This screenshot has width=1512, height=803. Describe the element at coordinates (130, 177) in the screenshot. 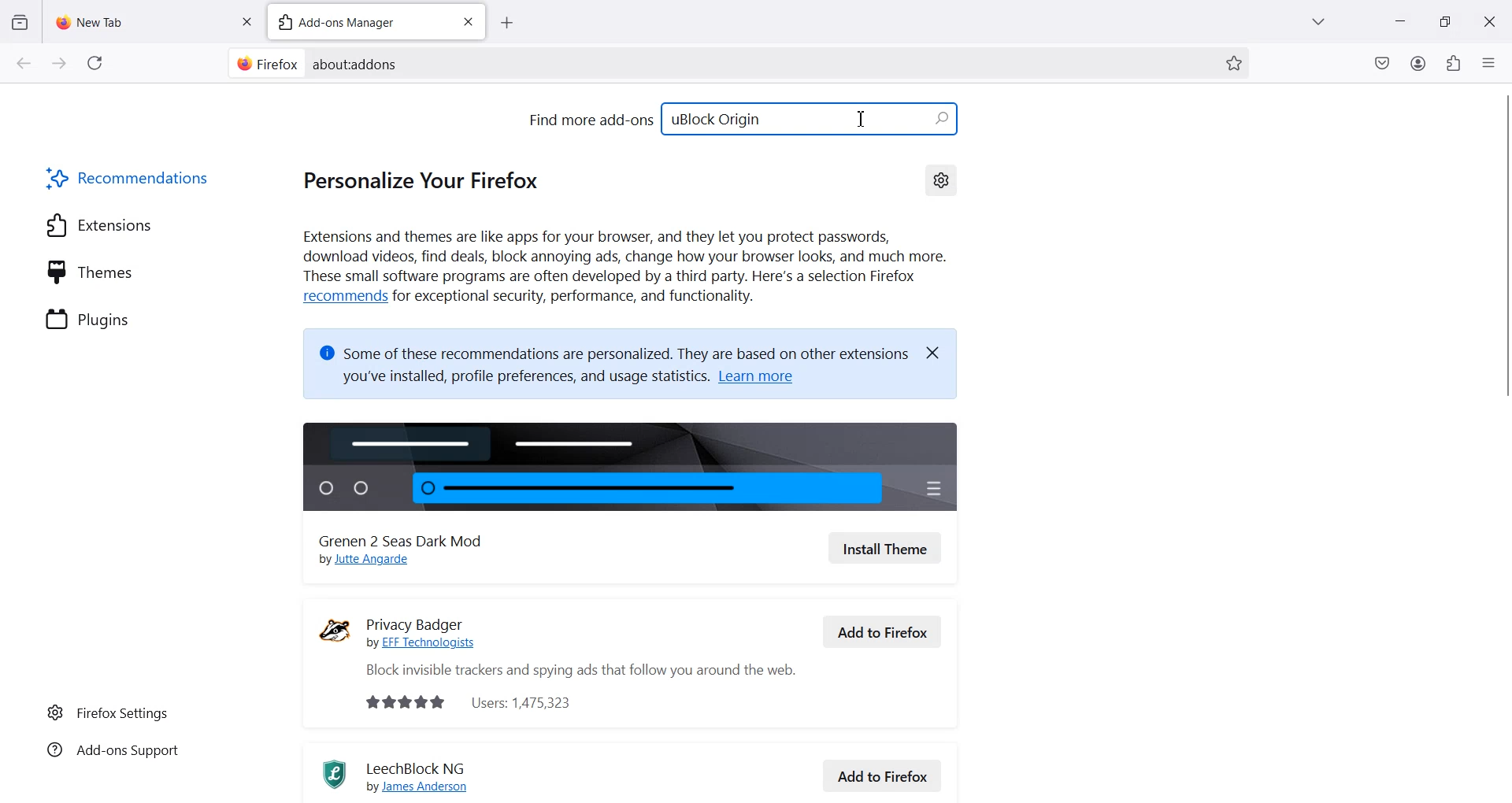

I see `Recommendations` at that location.